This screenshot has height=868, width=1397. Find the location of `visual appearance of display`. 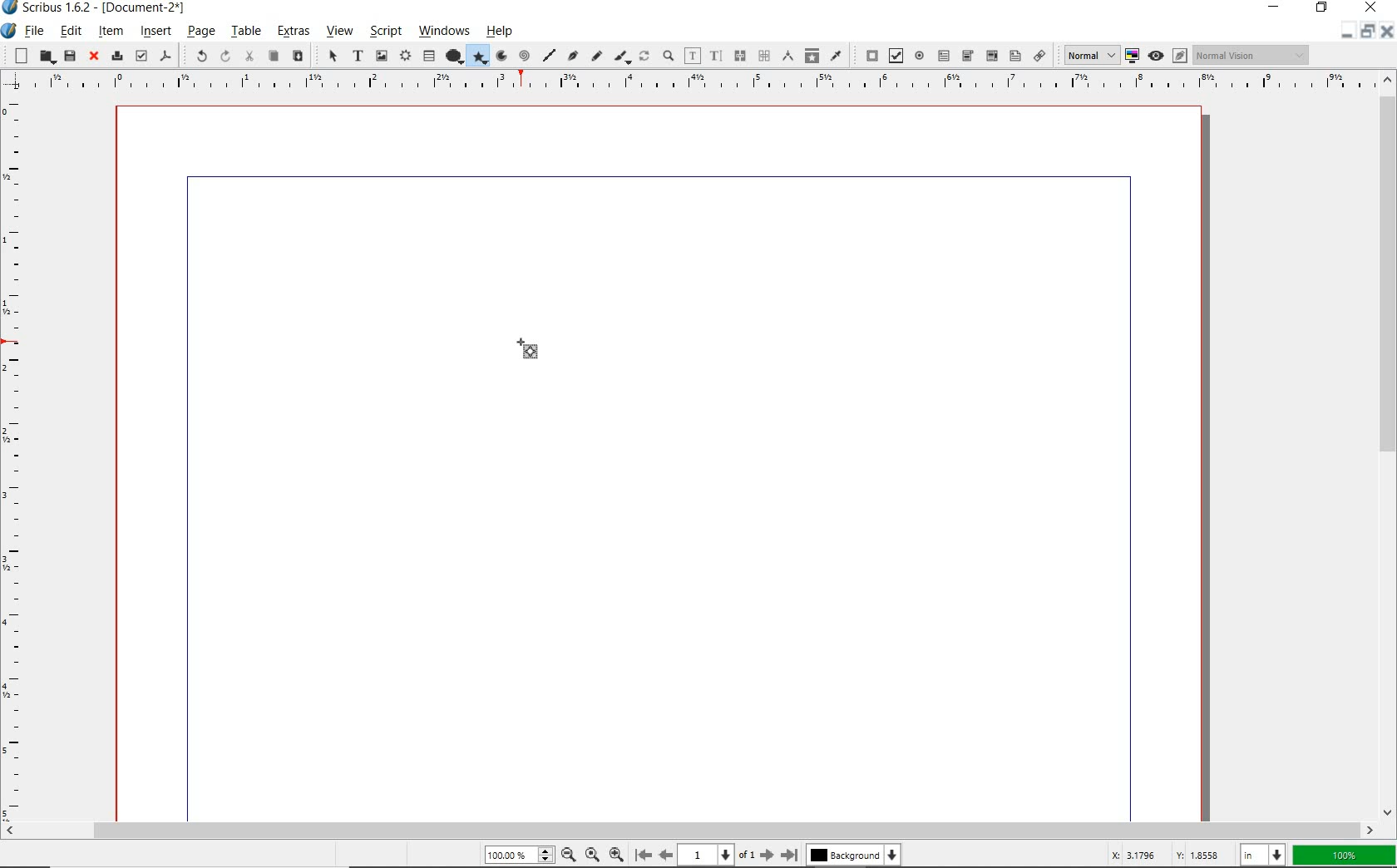

visual appearance of display is located at coordinates (1251, 55).